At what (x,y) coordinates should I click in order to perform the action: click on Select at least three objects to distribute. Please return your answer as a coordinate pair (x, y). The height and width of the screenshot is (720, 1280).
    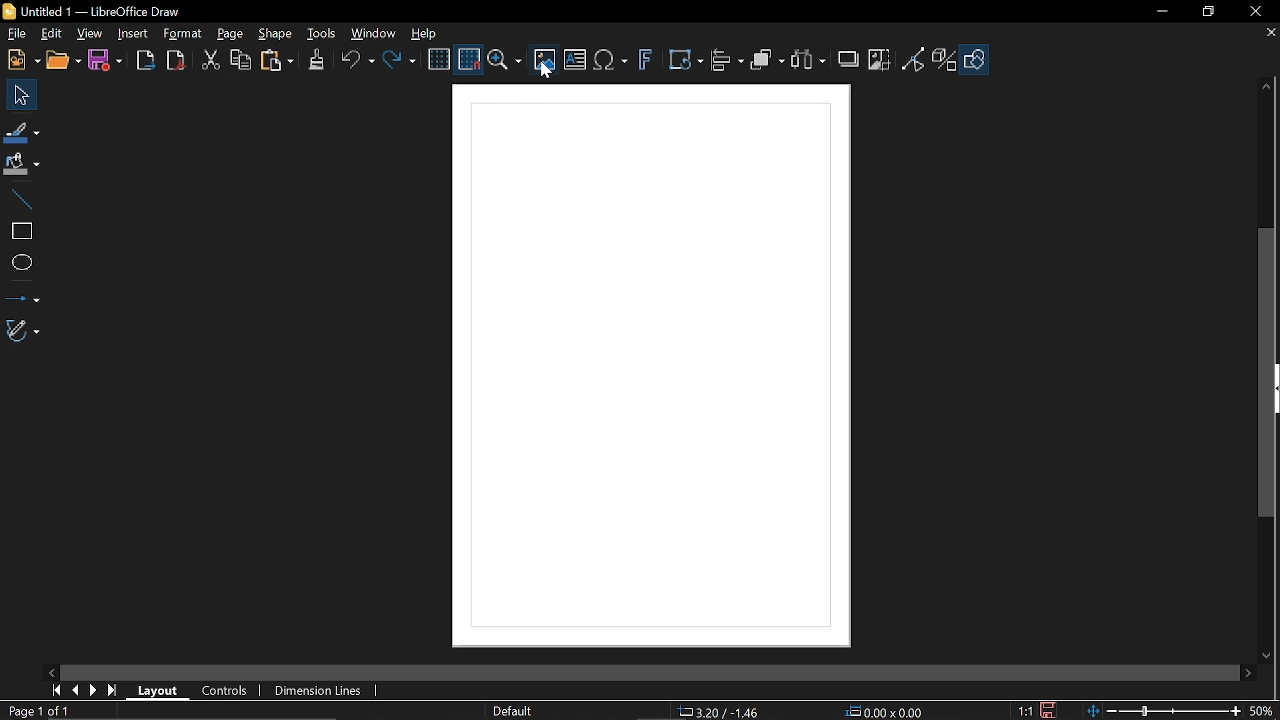
    Looking at the image, I should click on (811, 62).